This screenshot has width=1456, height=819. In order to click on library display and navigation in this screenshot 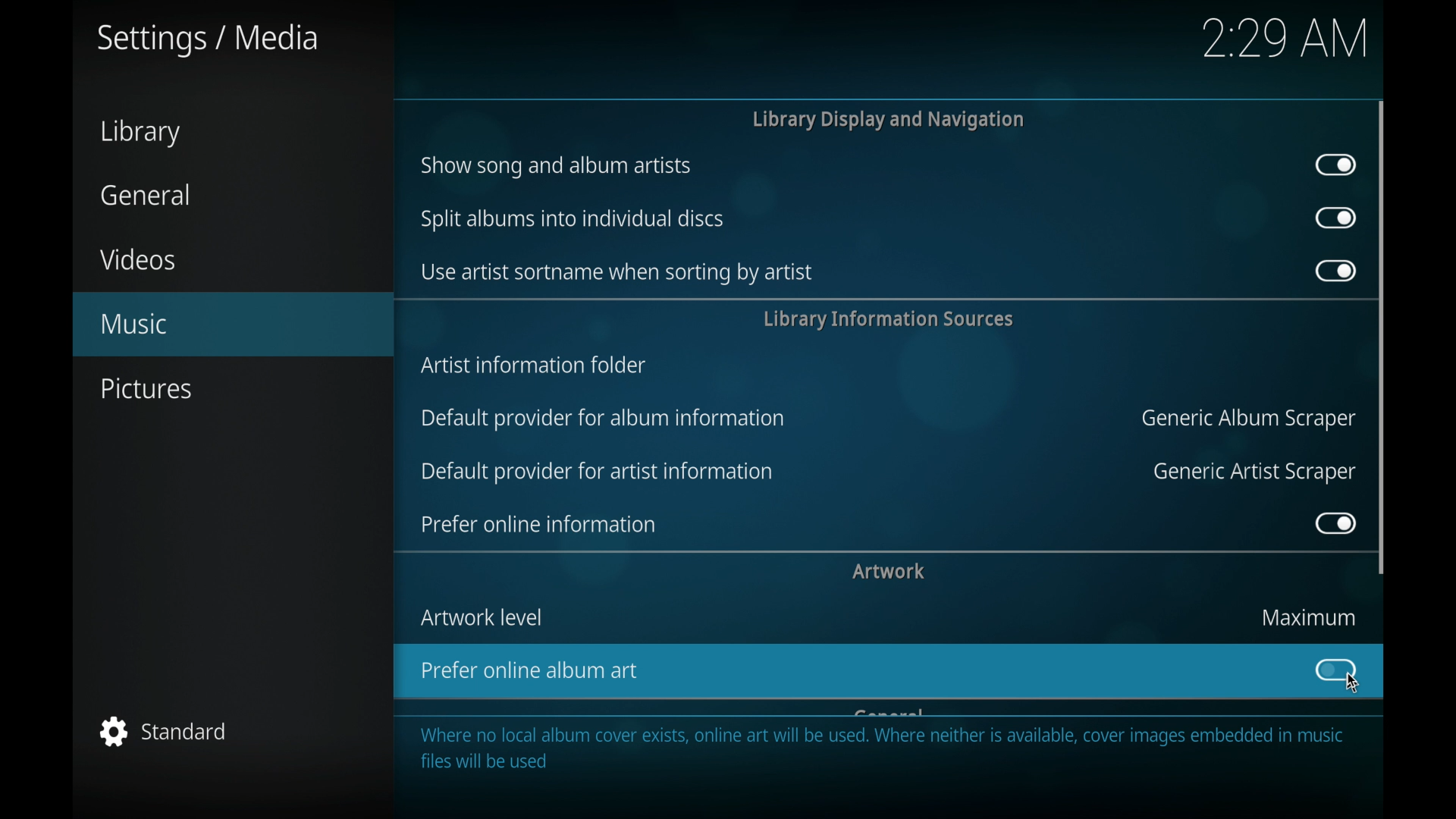, I will do `click(886, 119)`.